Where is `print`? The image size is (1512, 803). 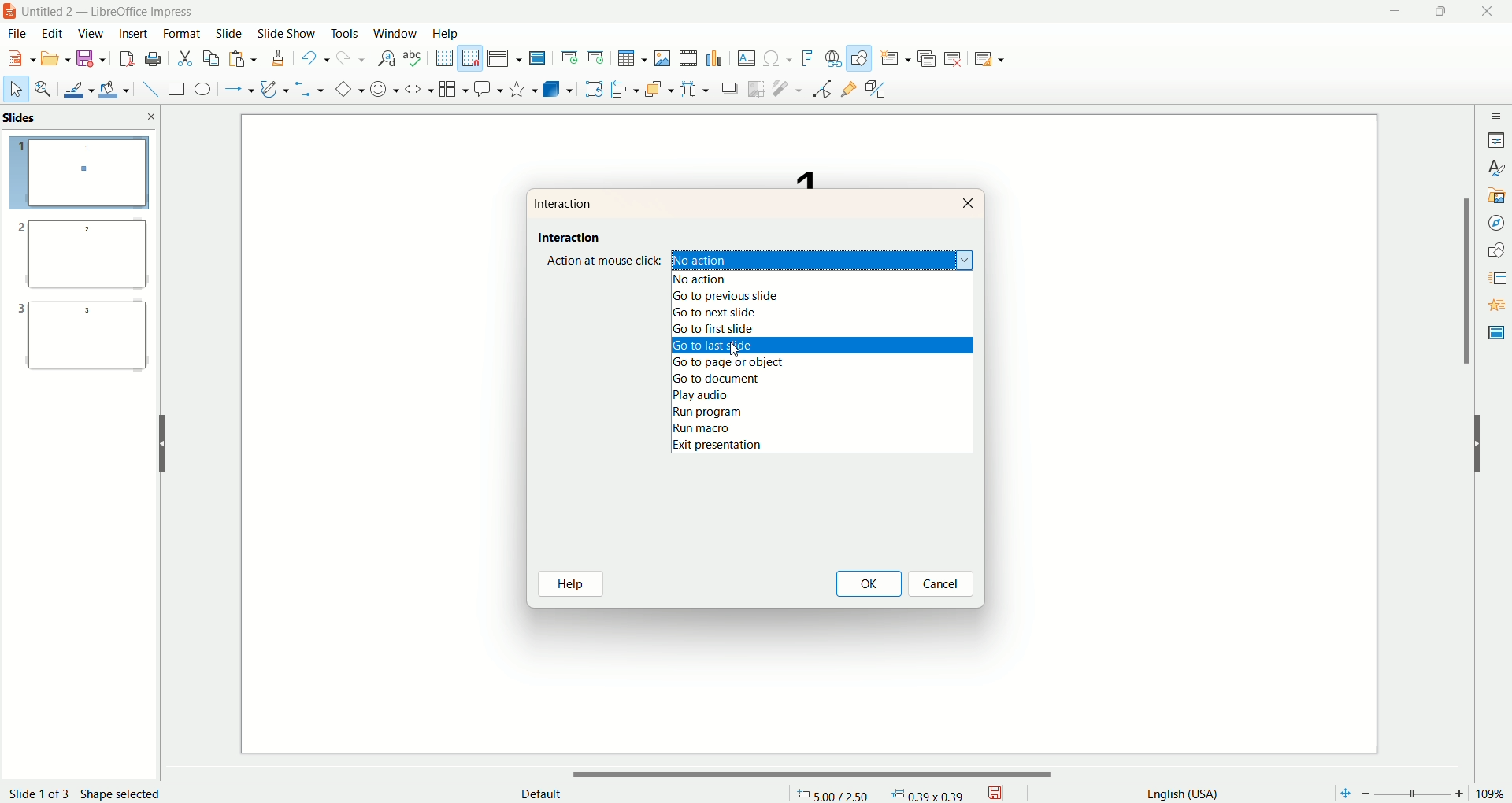
print is located at coordinates (153, 58).